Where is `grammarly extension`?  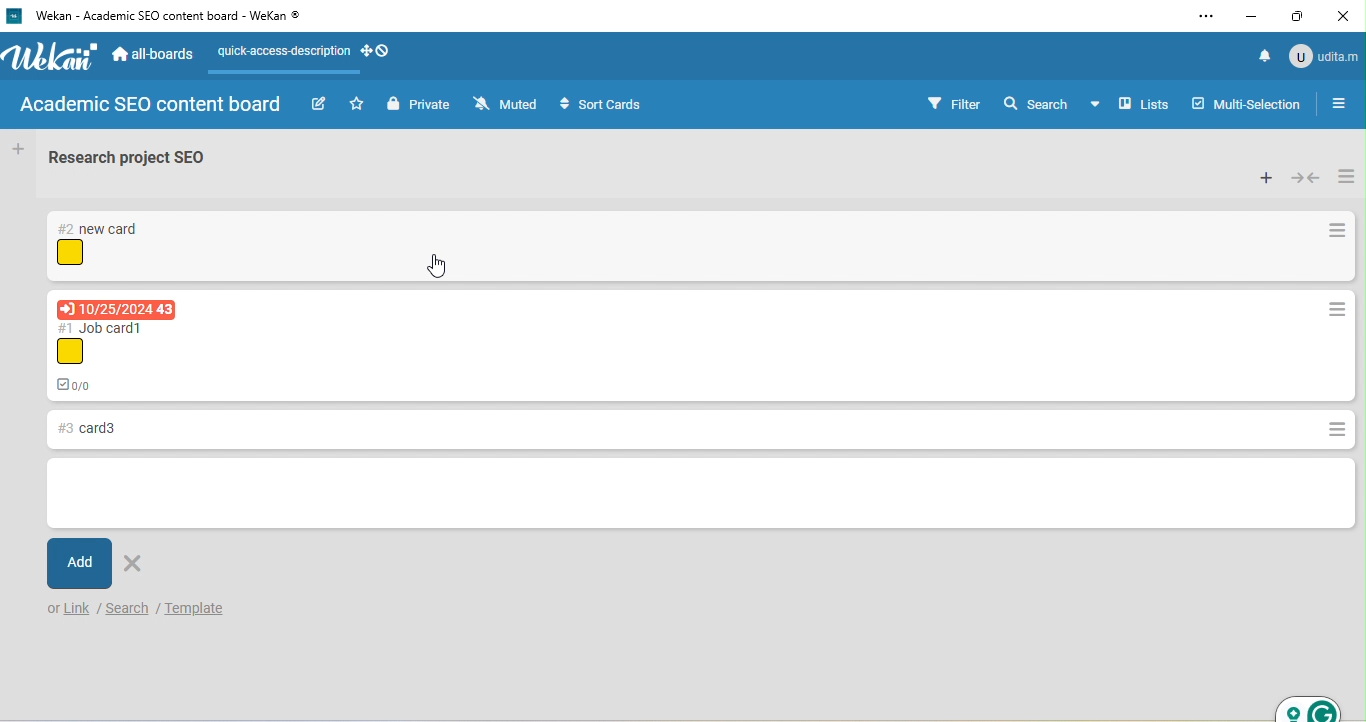
grammarly extension is located at coordinates (1308, 705).